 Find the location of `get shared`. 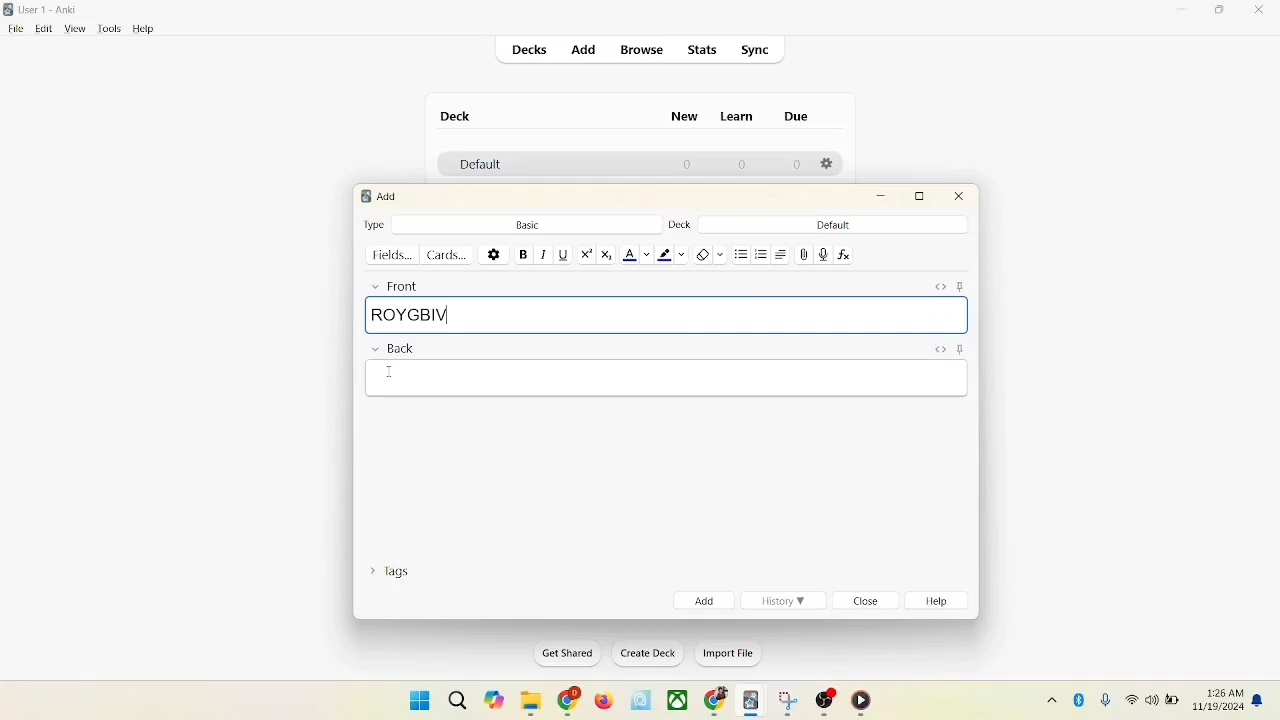

get shared is located at coordinates (561, 653).